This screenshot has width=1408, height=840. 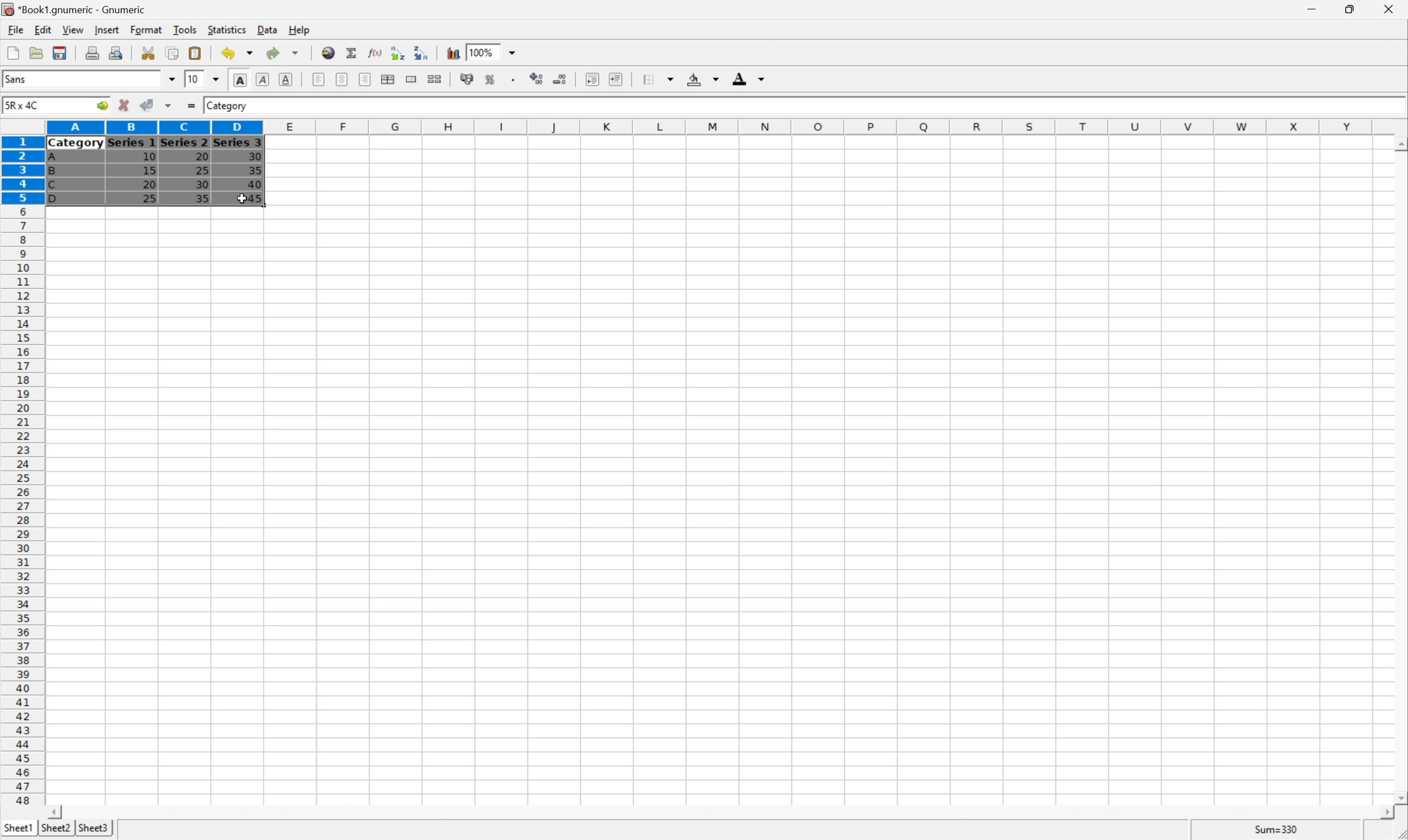 What do you see at coordinates (328, 52) in the screenshot?
I see `Insert a hyperlink` at bounding box center [328, 52].